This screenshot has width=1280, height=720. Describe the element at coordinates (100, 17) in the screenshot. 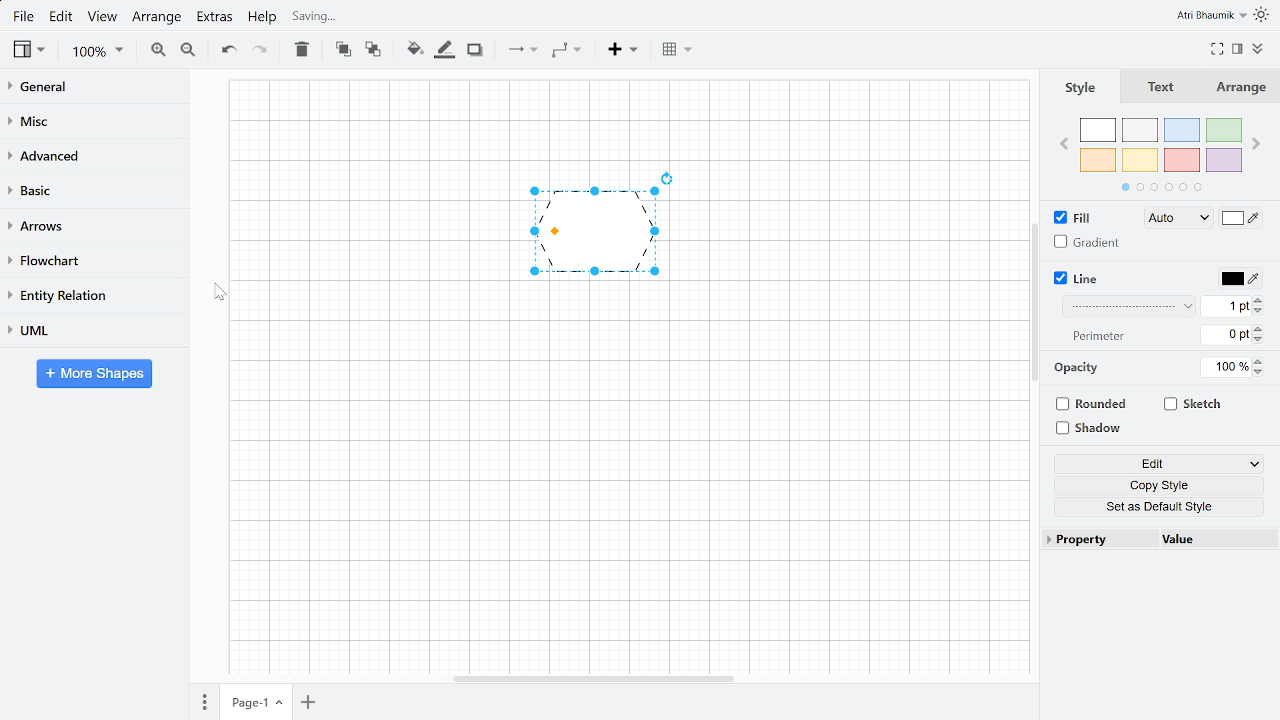

I see `View` at that location.